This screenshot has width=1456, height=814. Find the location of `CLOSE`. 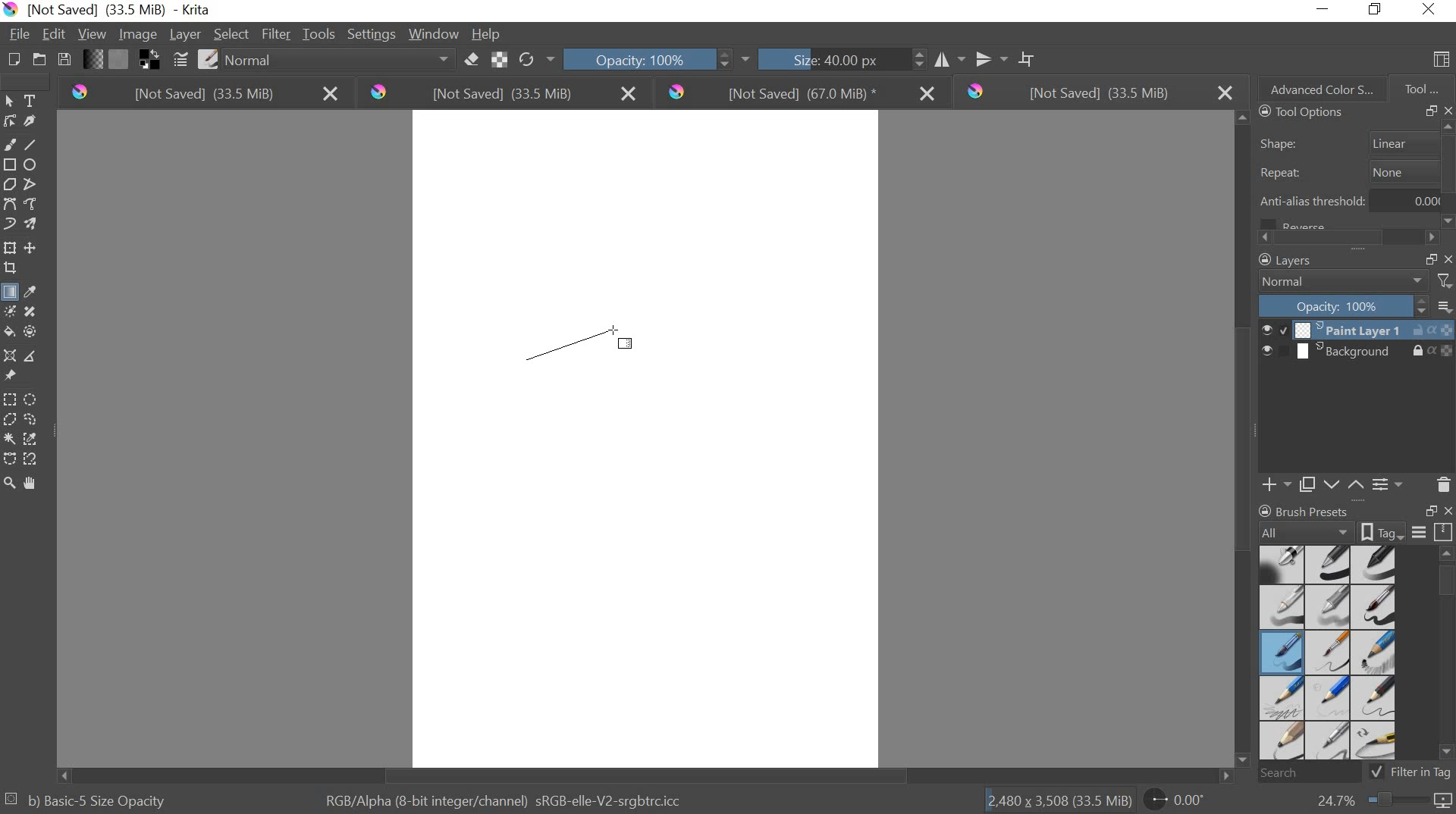

CLOSE is located at coordinates (1447, 111).